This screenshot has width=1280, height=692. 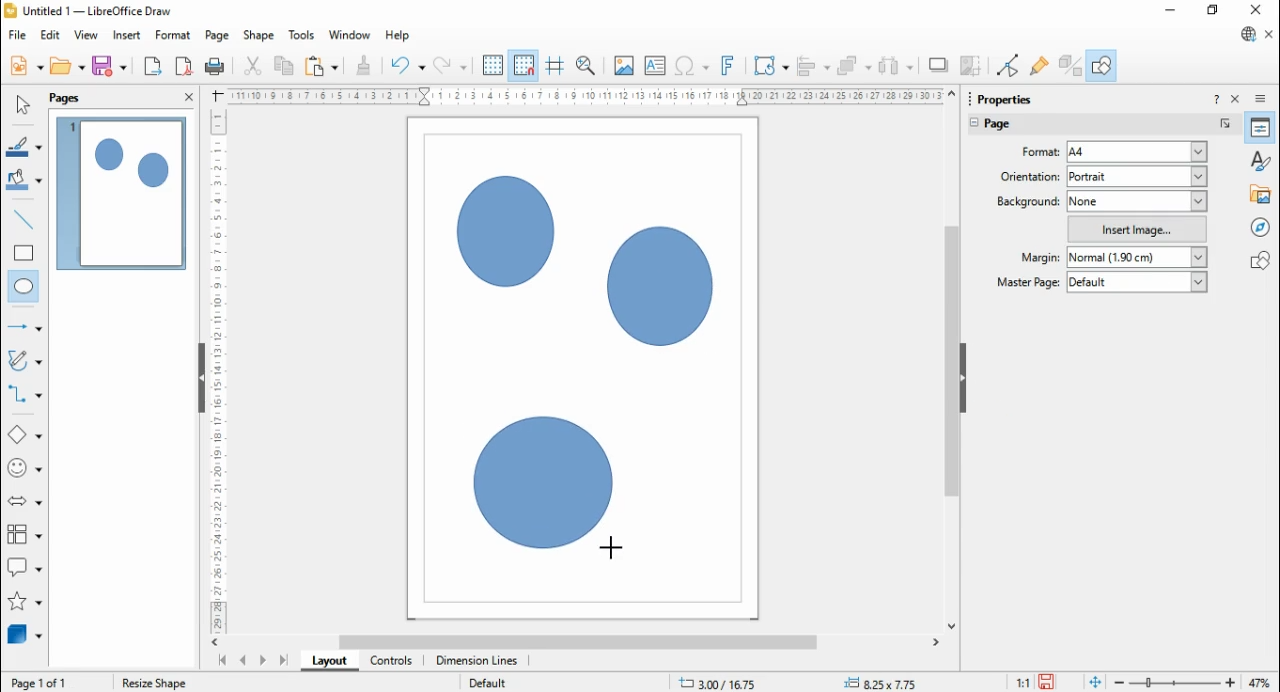 What do you see at coordinates (26, 470) in the screenshot?
I see `symbol shapes` at bounding box center [26, 470].